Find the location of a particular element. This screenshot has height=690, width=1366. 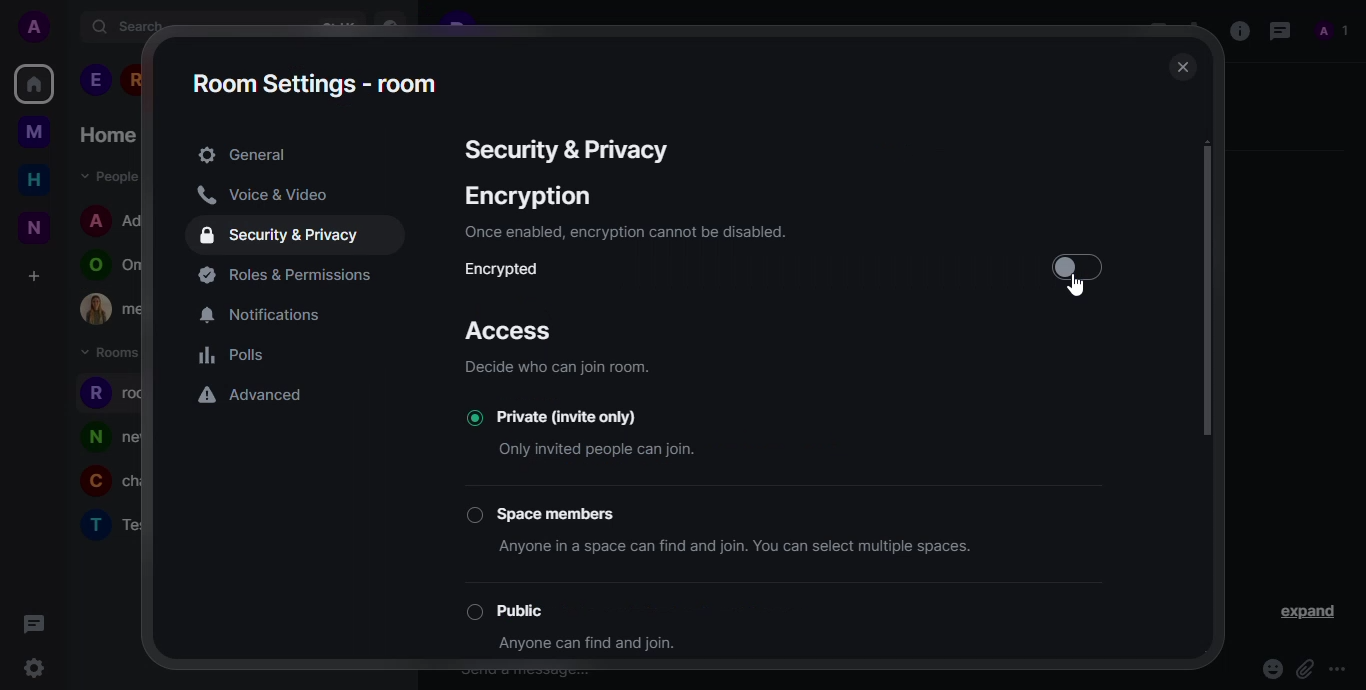

profile image is located at coordinates (96, 309).